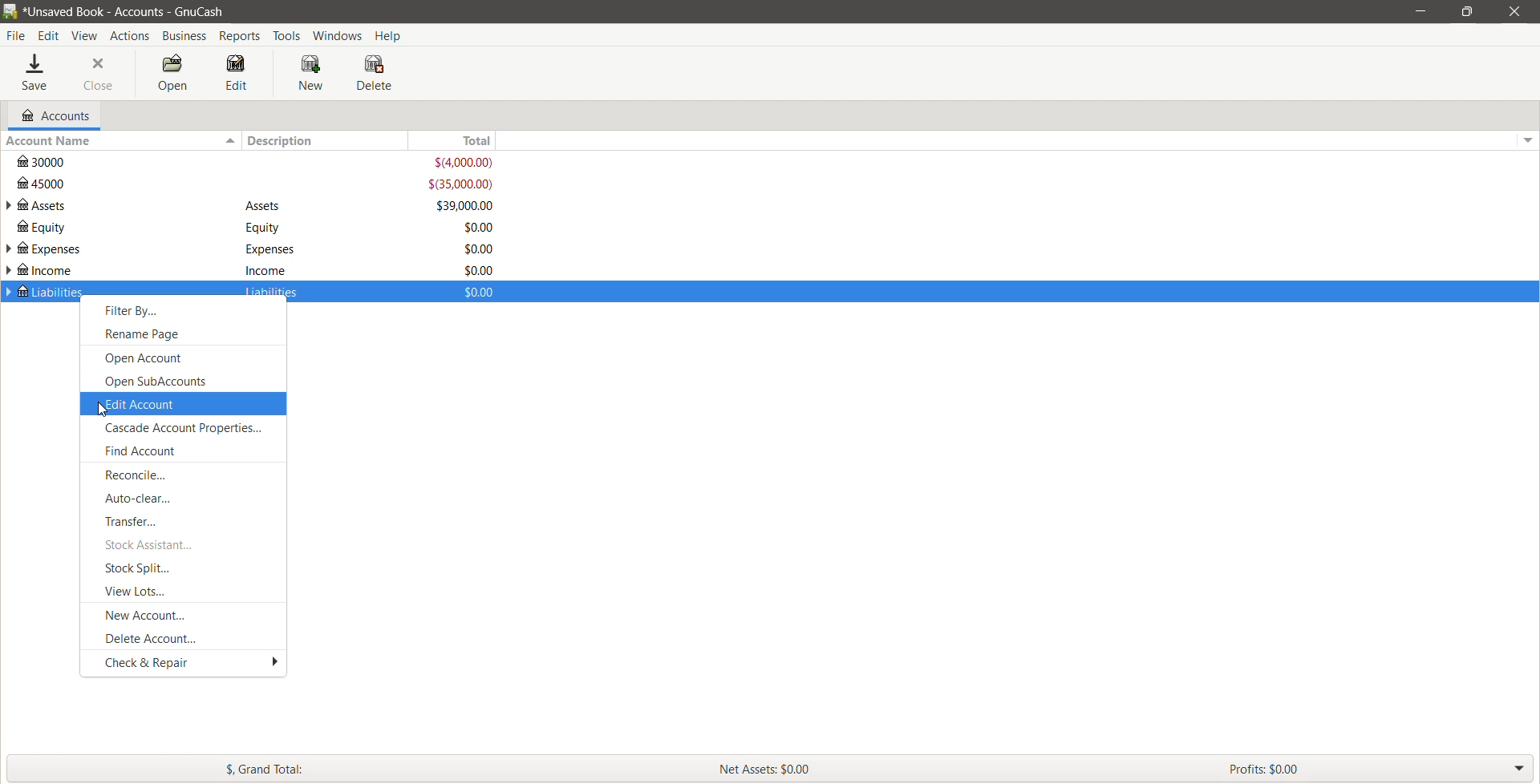 Image resolution: width=1540 pixels, height=784 pixels. Describe the element at coordinates (1380, 768) in the screenshot. I see `Profits` at that location.